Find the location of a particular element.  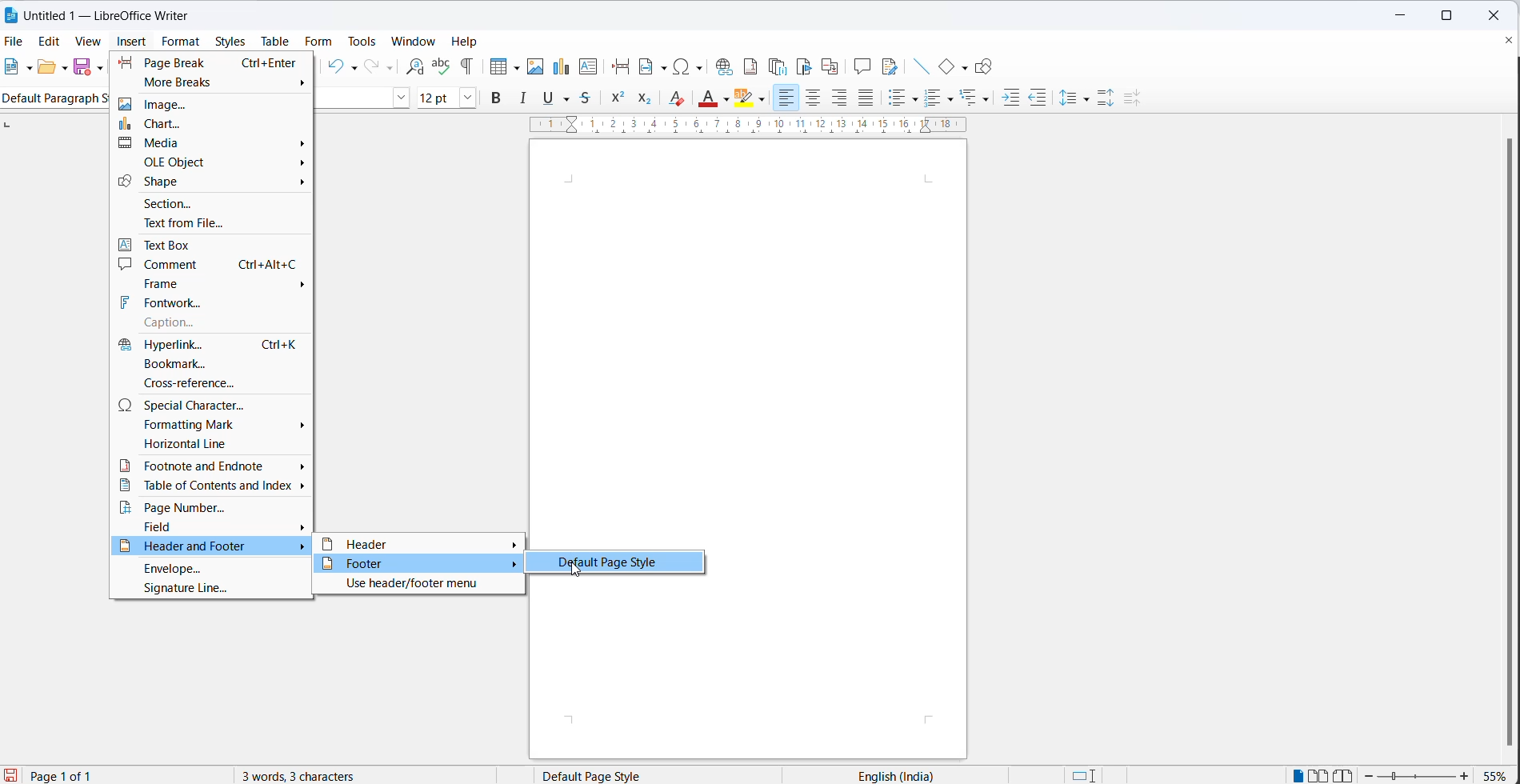

save as is located at coordinates (100, 68).